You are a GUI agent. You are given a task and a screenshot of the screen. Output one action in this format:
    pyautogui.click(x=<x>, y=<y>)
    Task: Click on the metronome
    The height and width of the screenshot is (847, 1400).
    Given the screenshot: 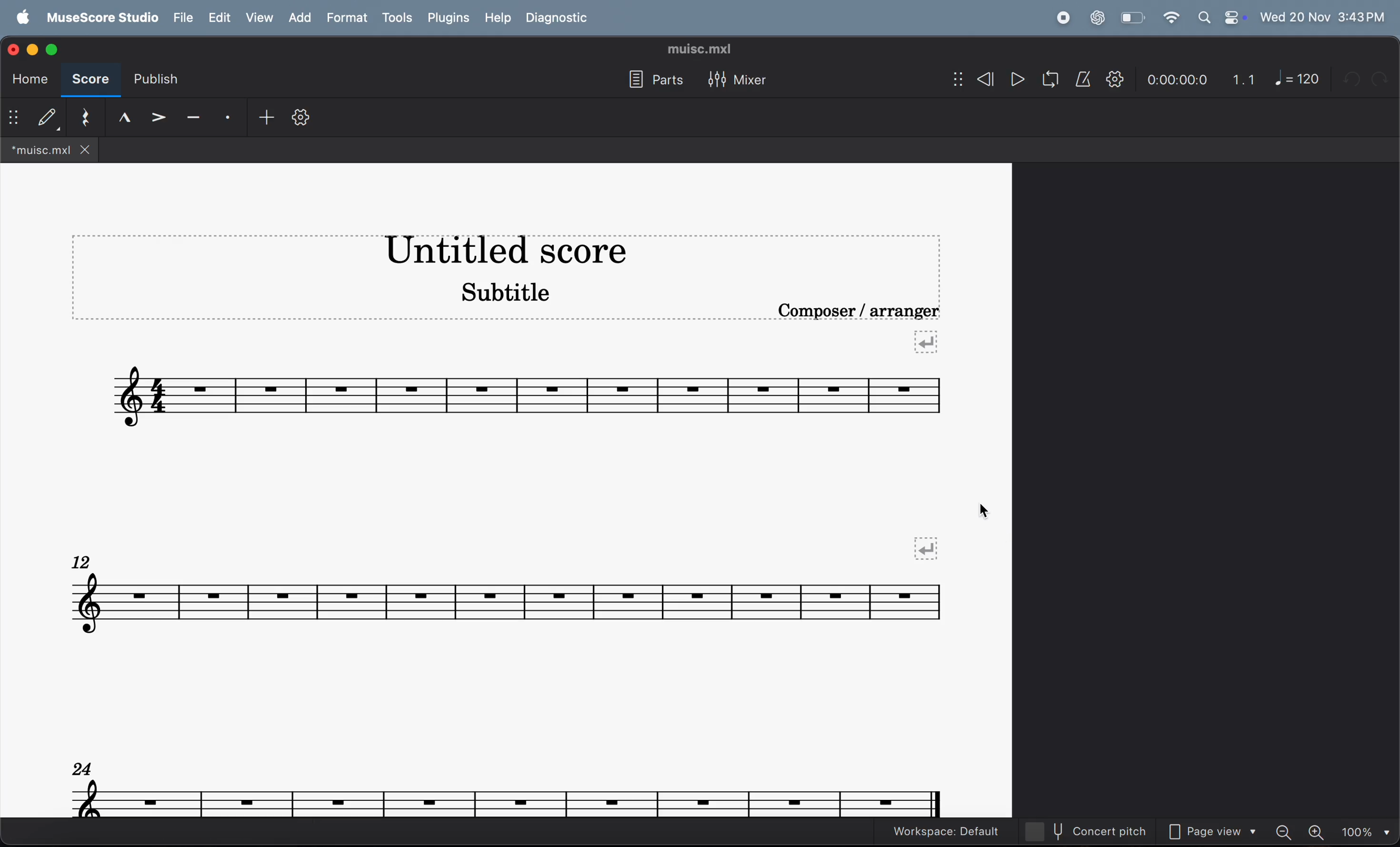 What is the action you would take?
    pyautogui.click(x=1081, y=79)
    